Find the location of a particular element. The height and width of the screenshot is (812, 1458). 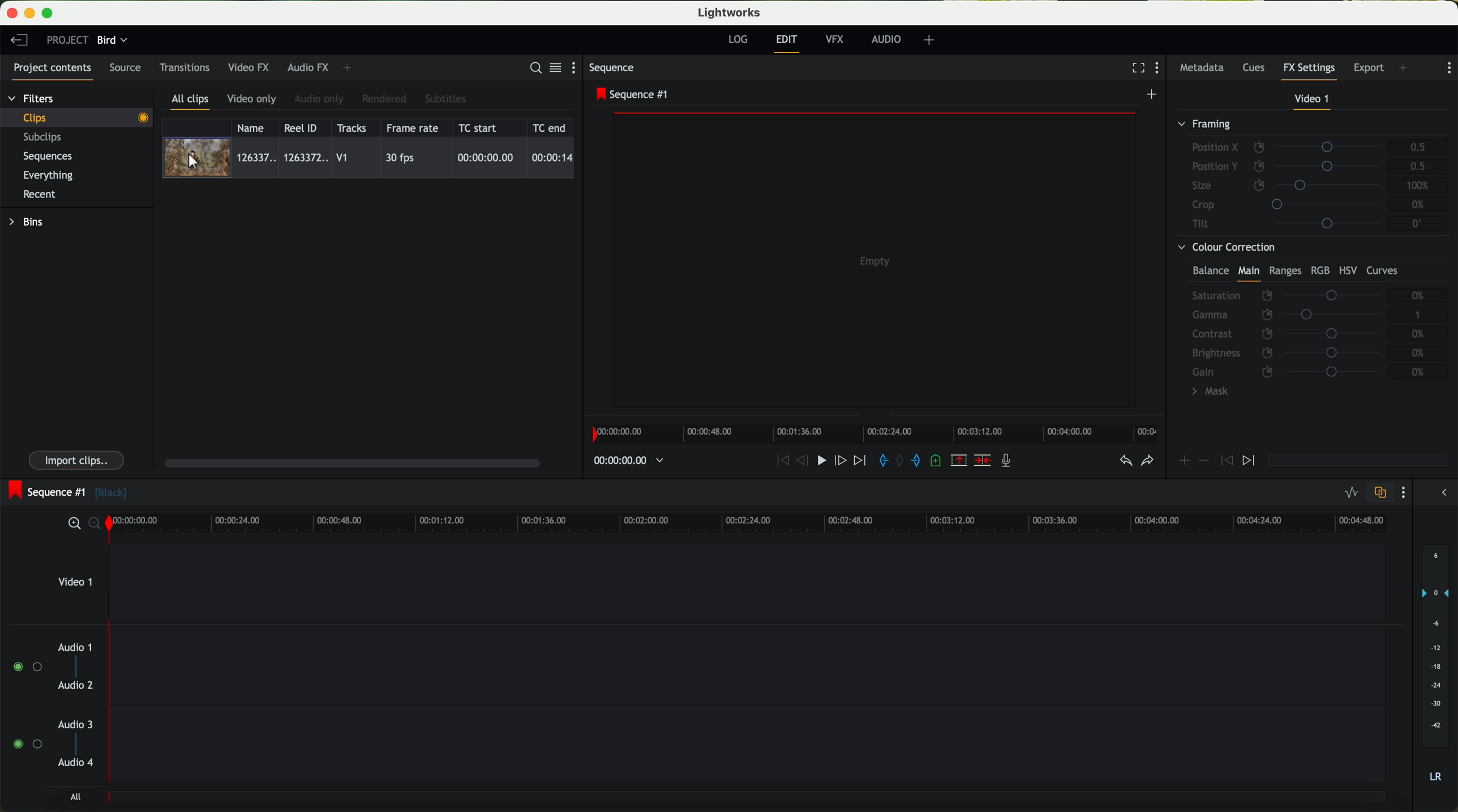

zoom in is located at coordinates (72, 524).